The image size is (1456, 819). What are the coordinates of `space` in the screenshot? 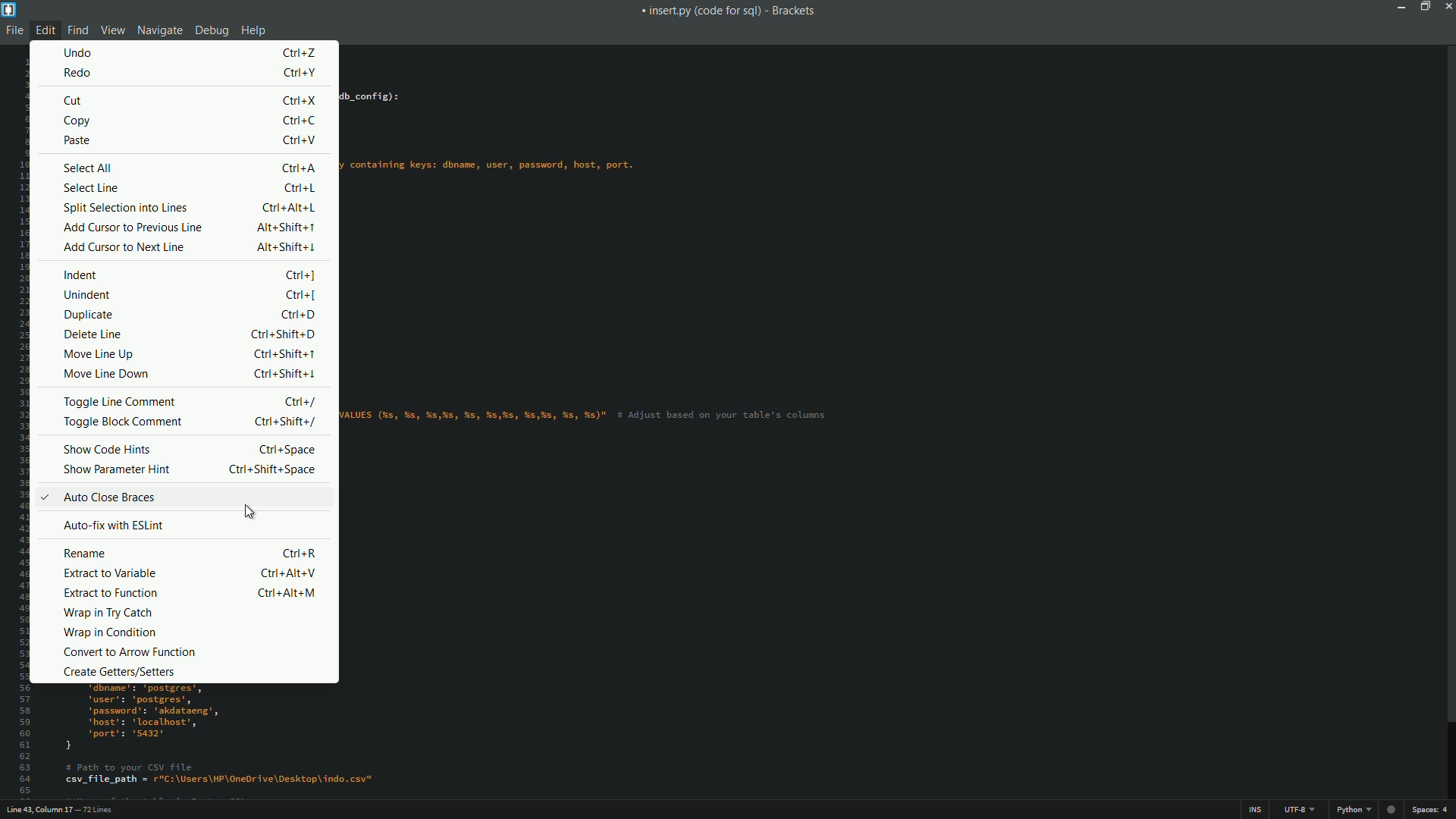 It's located at (1429, 810).